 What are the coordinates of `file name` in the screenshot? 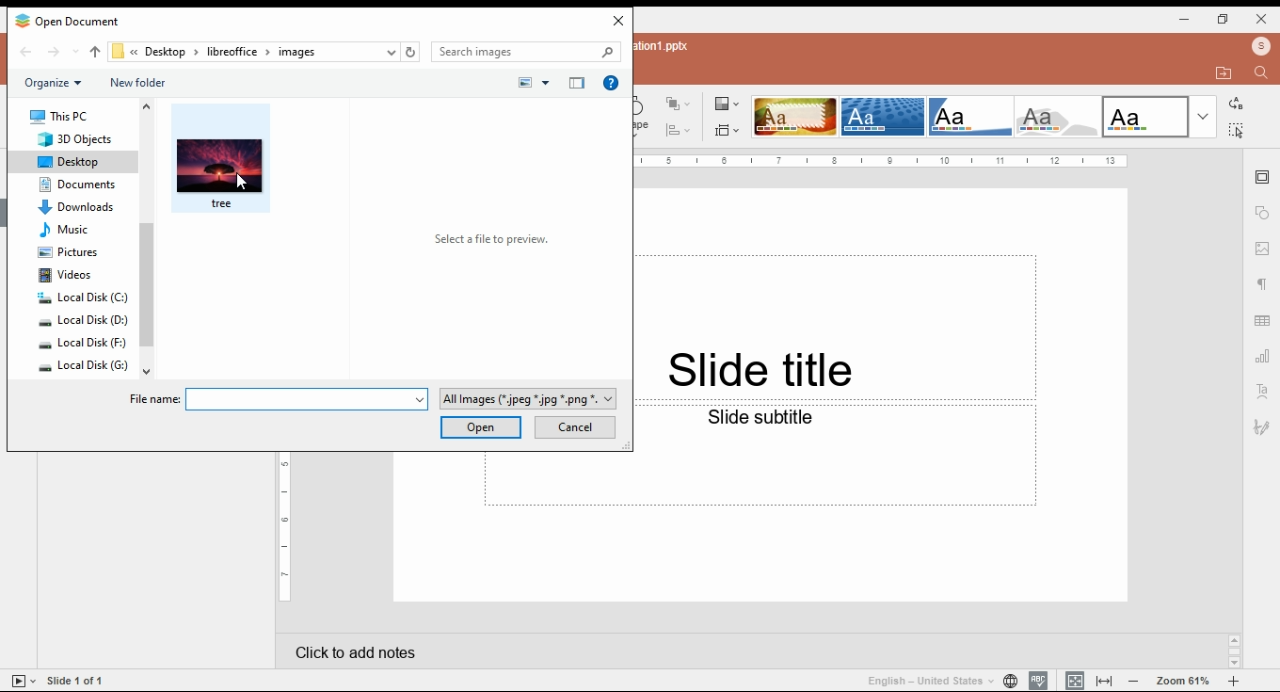 It's located at (279, 399).